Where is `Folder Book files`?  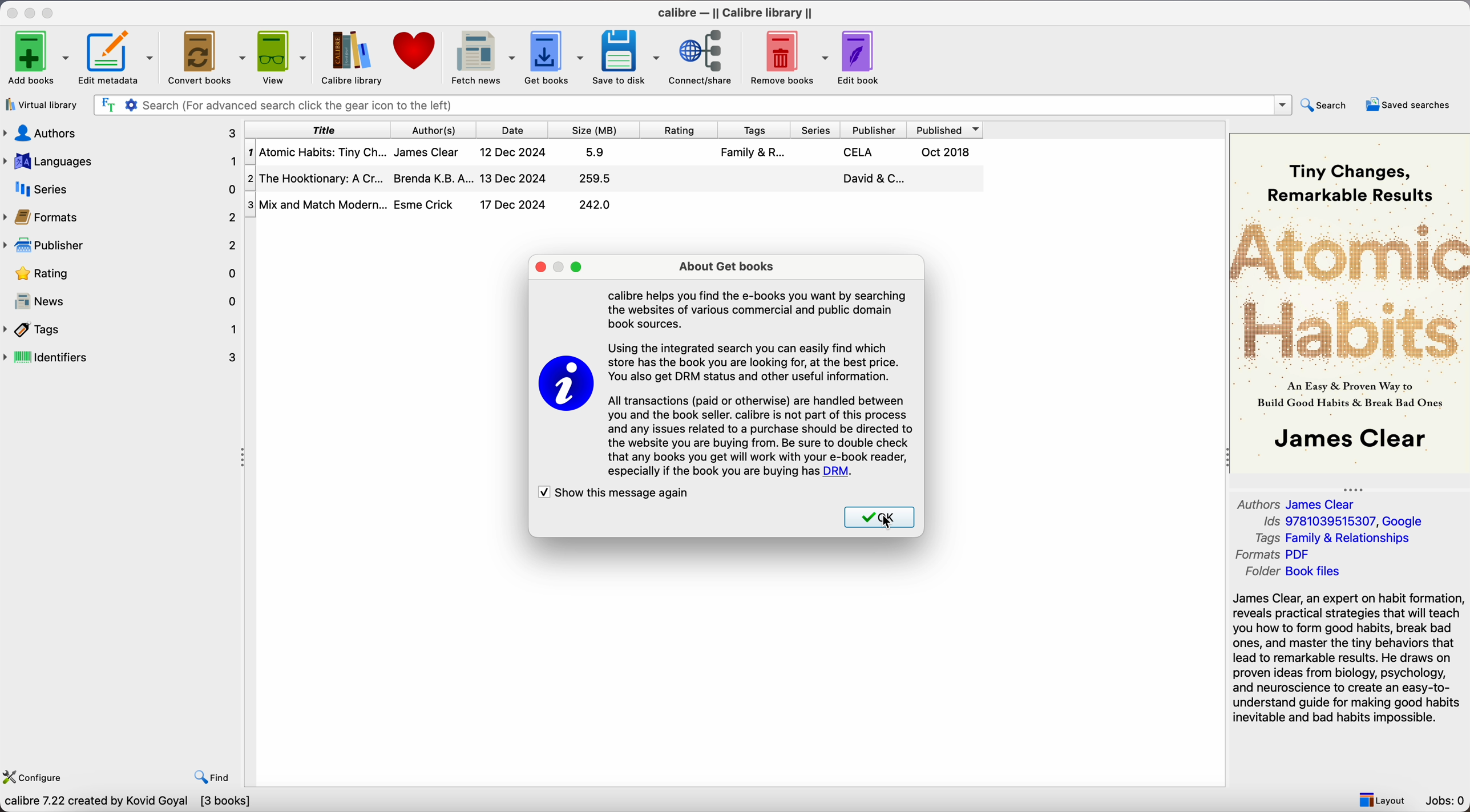 Folder Book files is located at coordinates (1289, 573).